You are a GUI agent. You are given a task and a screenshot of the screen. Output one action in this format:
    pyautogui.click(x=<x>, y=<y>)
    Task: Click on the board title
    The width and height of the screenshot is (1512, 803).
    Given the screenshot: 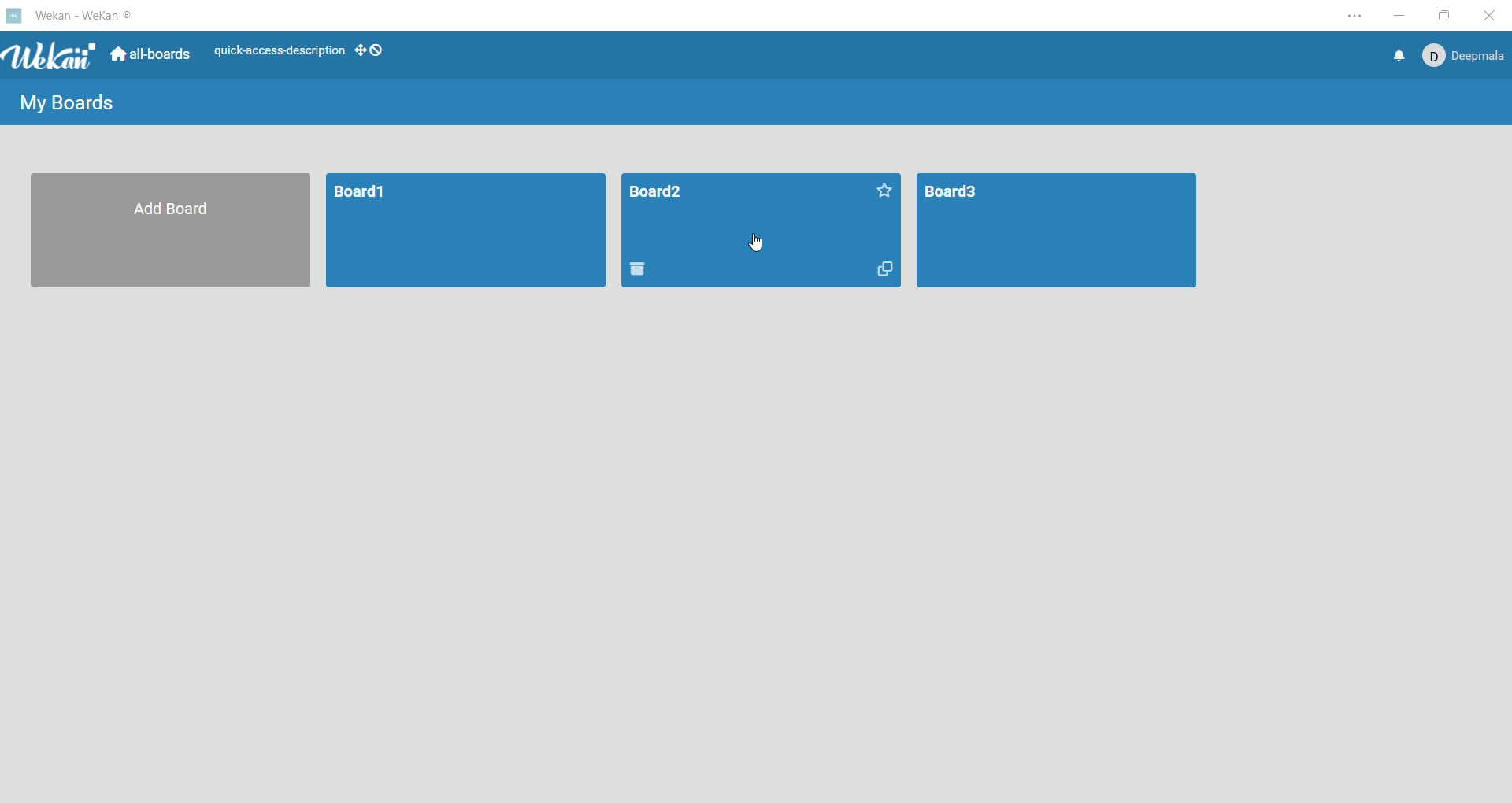 What is the action you would take?
    pyautogui.click(x=654, y=191)
    